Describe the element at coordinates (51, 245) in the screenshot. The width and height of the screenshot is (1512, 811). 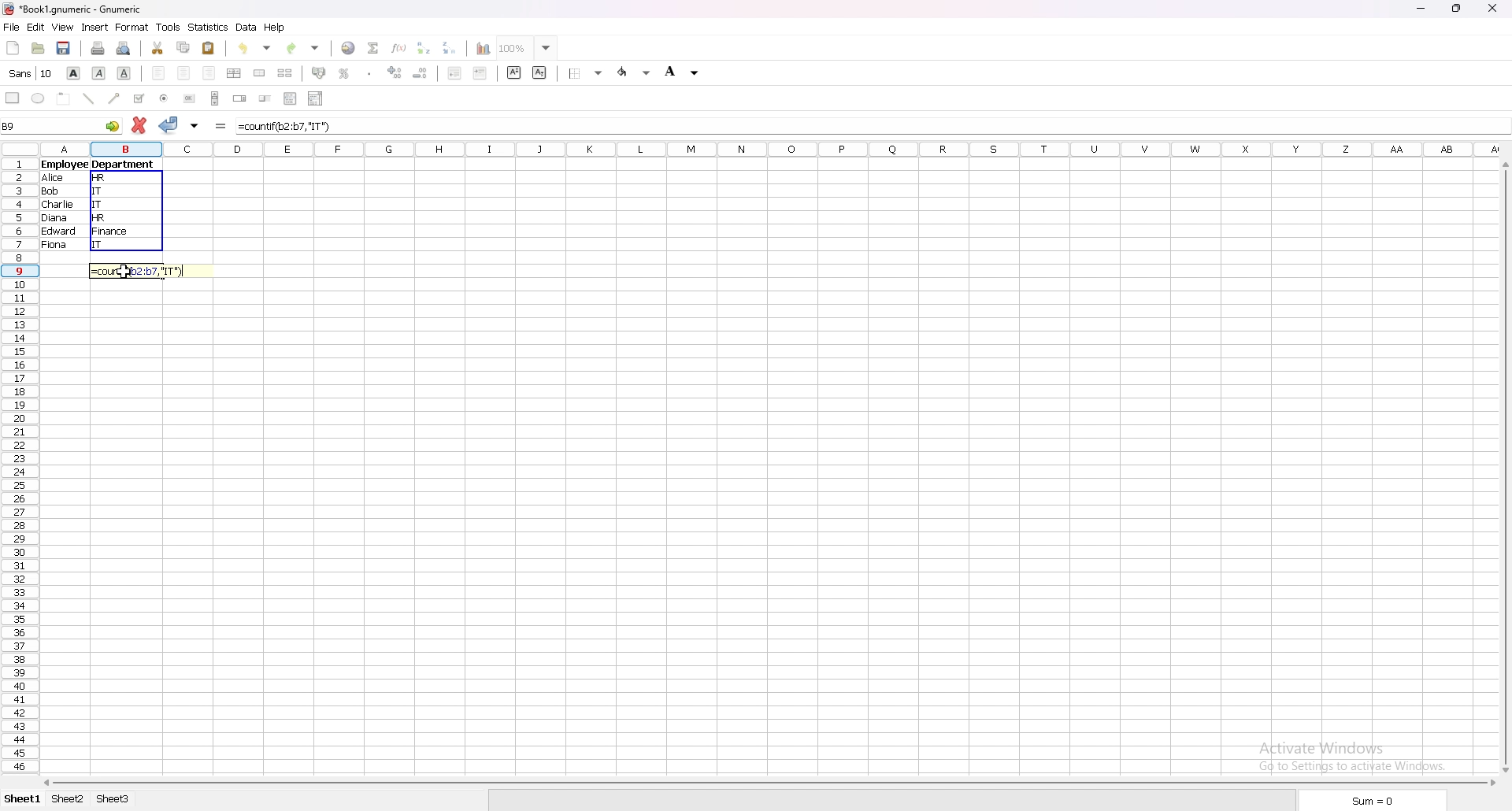
I see `fiona` at that location.